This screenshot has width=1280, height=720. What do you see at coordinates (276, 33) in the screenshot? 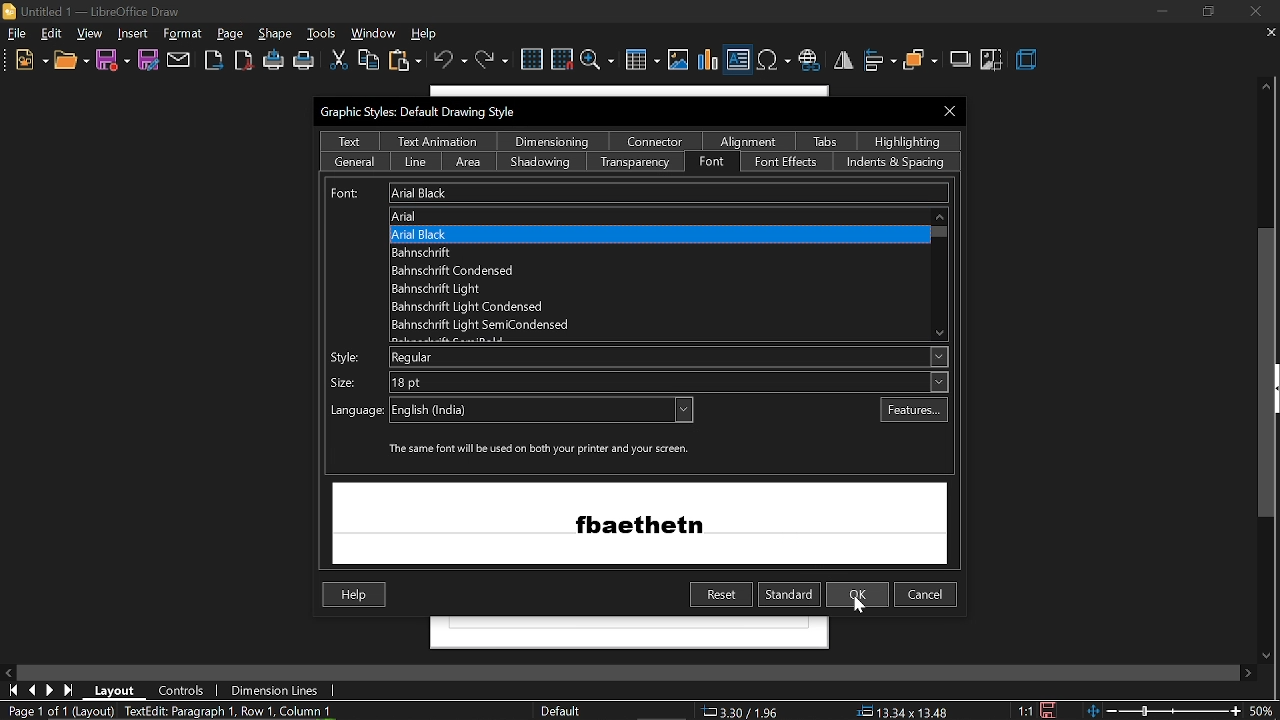
I see `page` at bounding box center [276, 33].